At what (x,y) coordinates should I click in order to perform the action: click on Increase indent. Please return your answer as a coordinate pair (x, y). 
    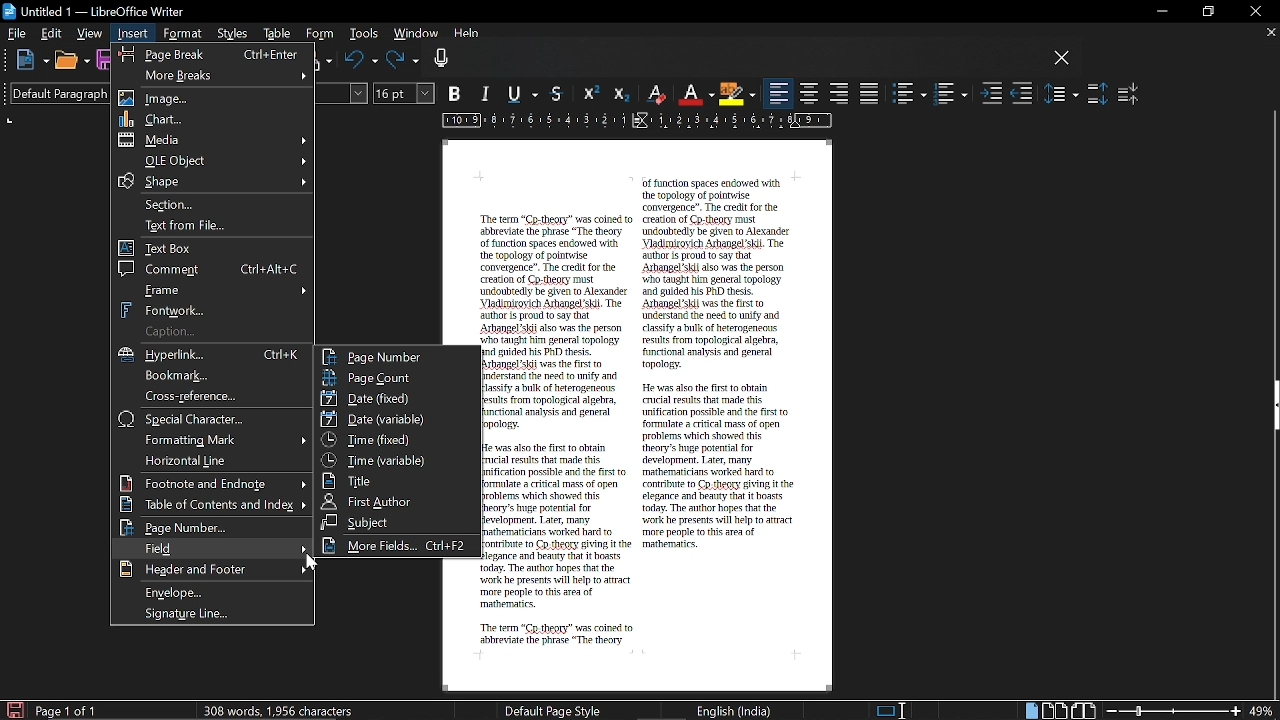
    Looking at the image, I should click on (992, 95).